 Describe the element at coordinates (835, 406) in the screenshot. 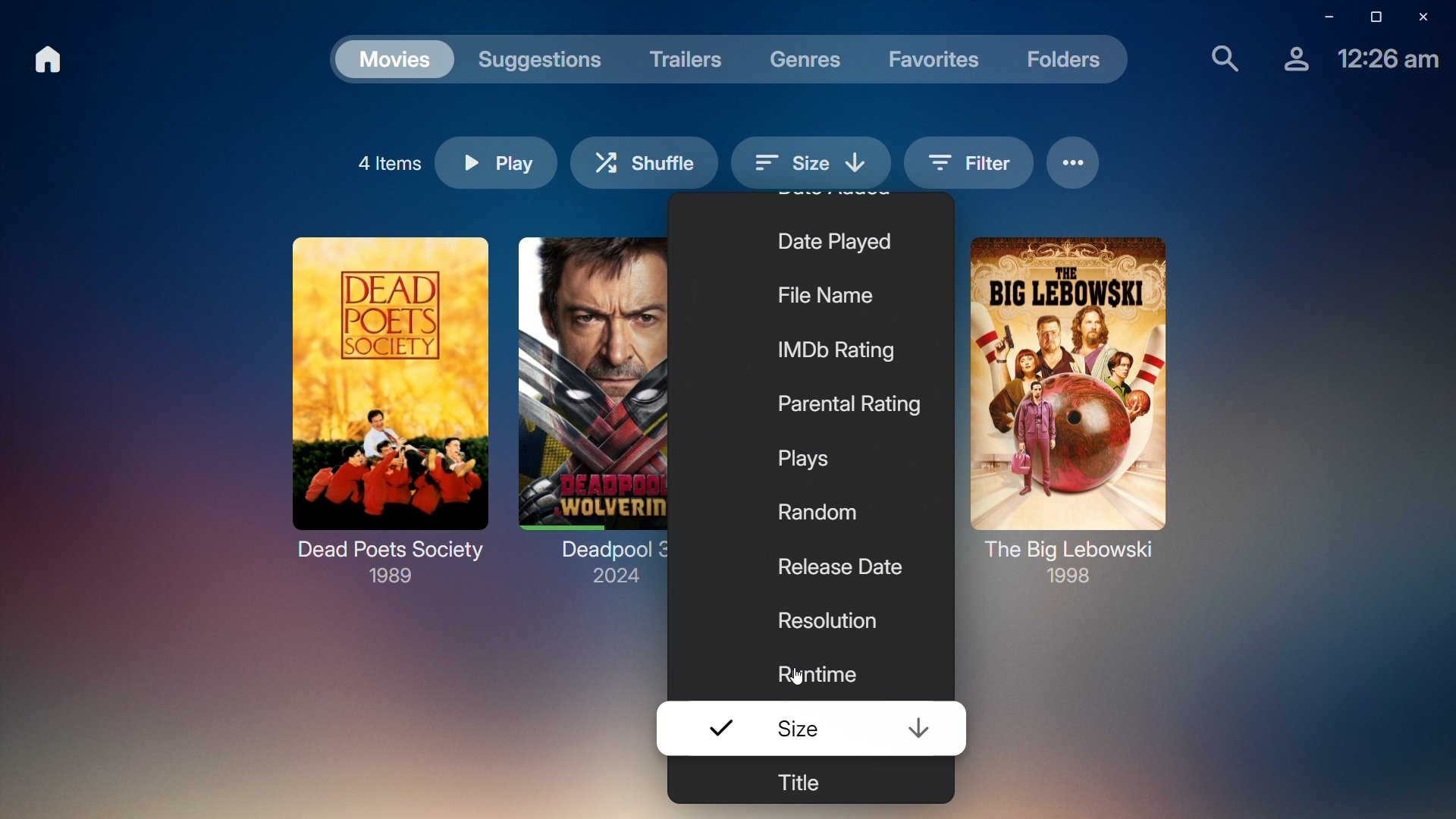

I see `Parental Rating` at that location.